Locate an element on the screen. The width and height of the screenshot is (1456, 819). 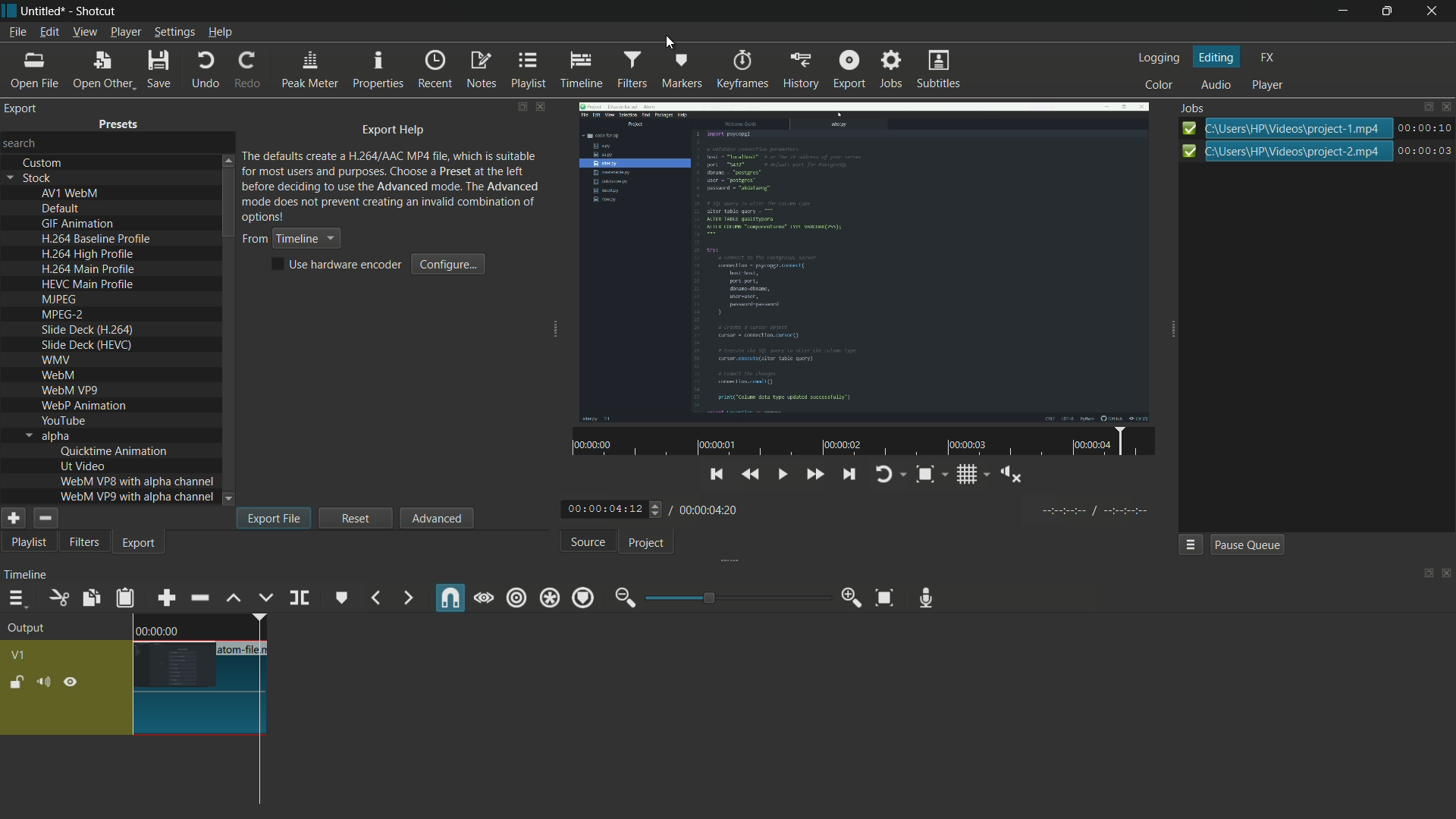
jobs menu is located at coordinates (1191, 544).